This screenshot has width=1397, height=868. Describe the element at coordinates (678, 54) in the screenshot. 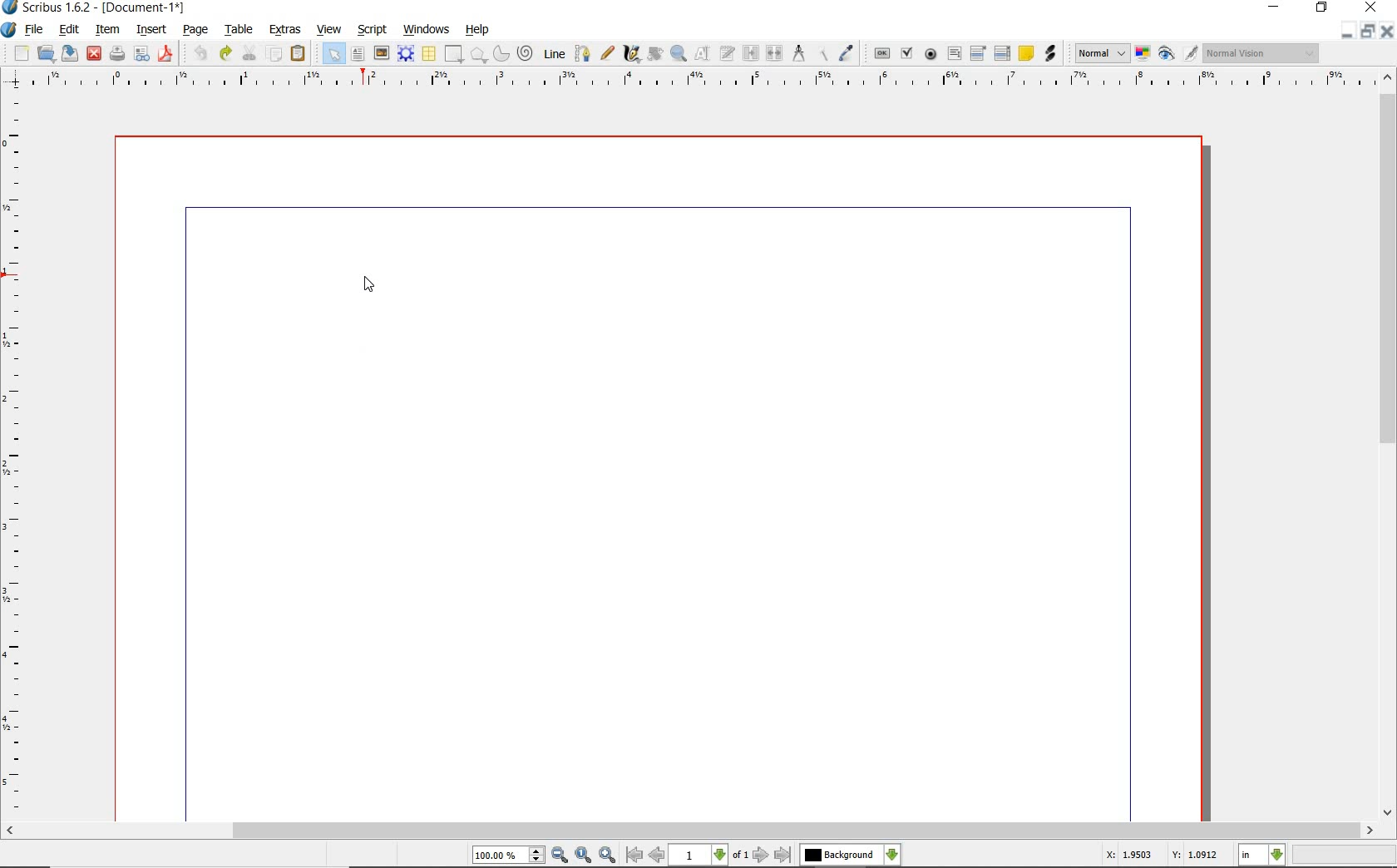

I see `zoom in or out` at that location.